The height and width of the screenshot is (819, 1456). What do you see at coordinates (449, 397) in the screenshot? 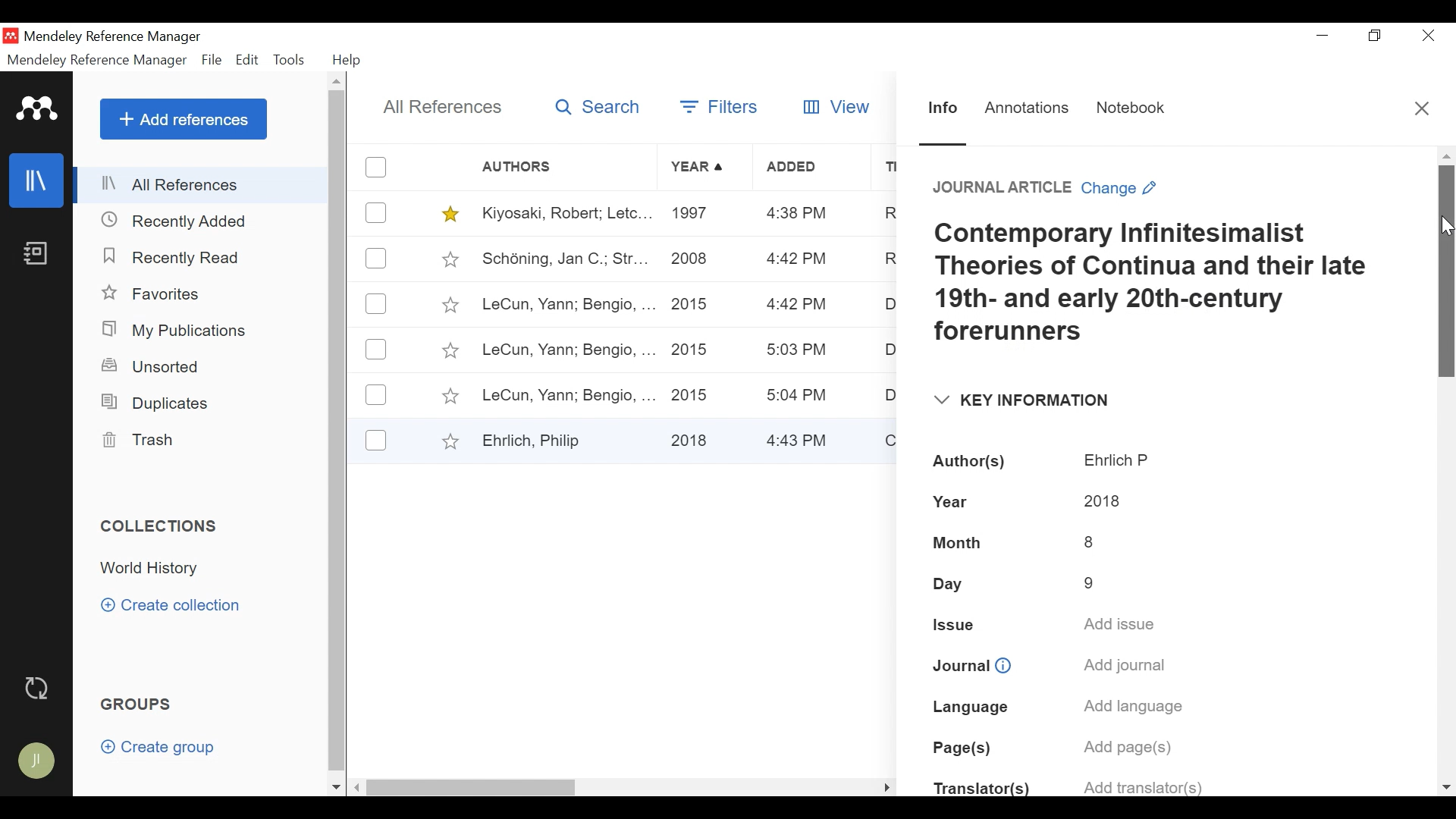
I see `(un)select favorite` at bounding box center [449, 397].